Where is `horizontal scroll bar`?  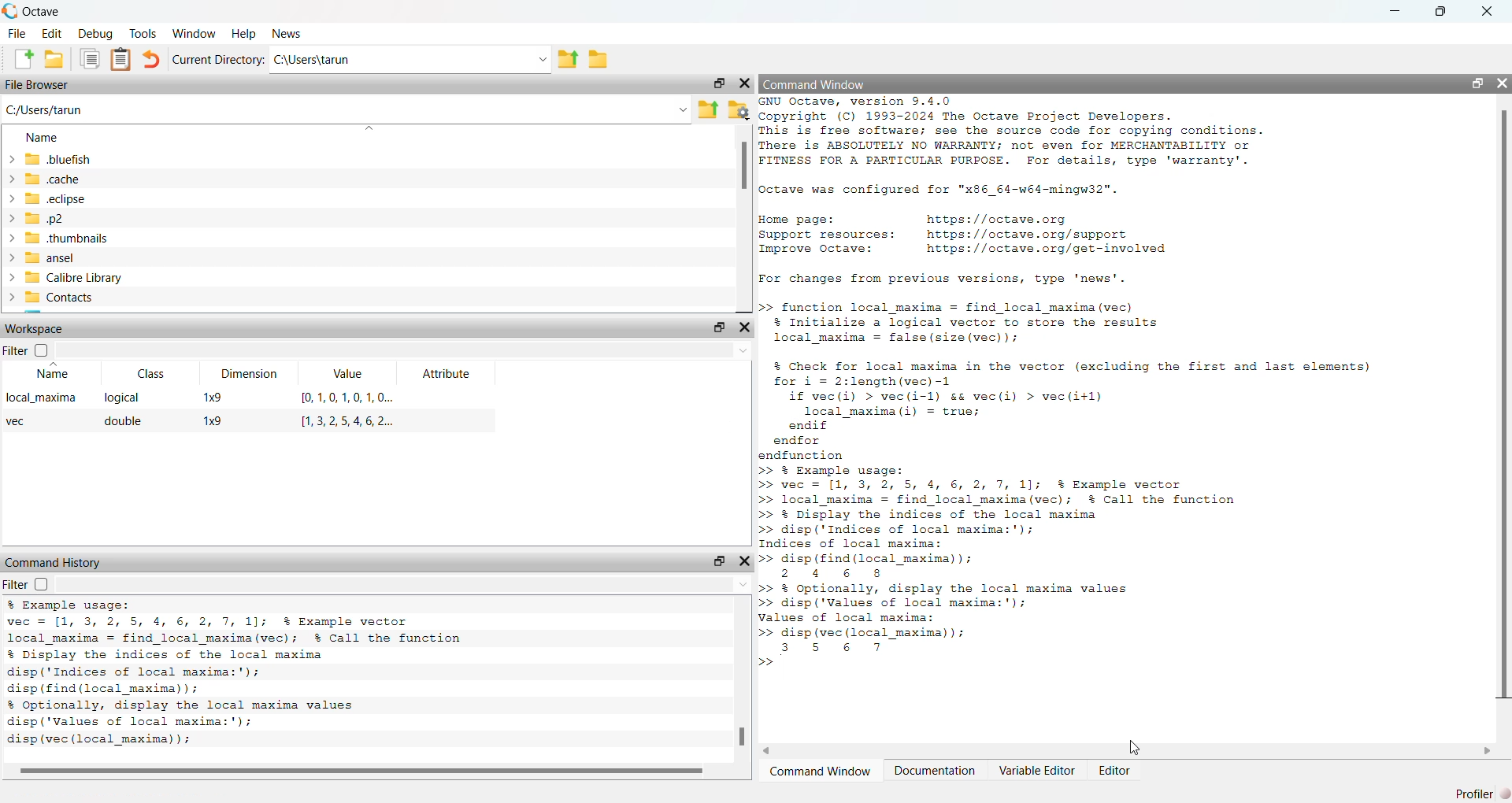
horizontal scroll bar is located at coordinates (366, 772).